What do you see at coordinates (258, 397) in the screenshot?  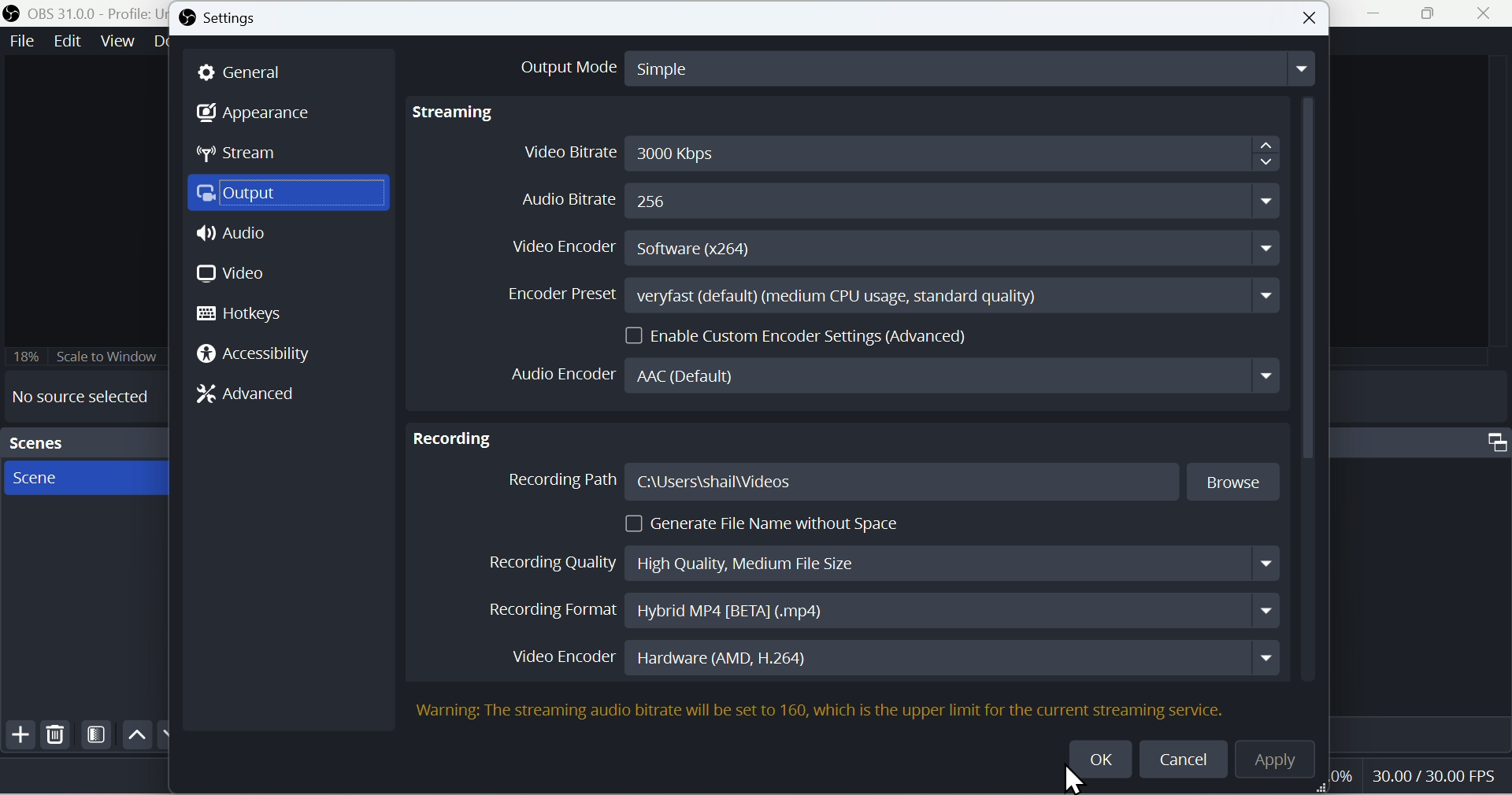 I see `Advanced` at bounding box center [258, 397].